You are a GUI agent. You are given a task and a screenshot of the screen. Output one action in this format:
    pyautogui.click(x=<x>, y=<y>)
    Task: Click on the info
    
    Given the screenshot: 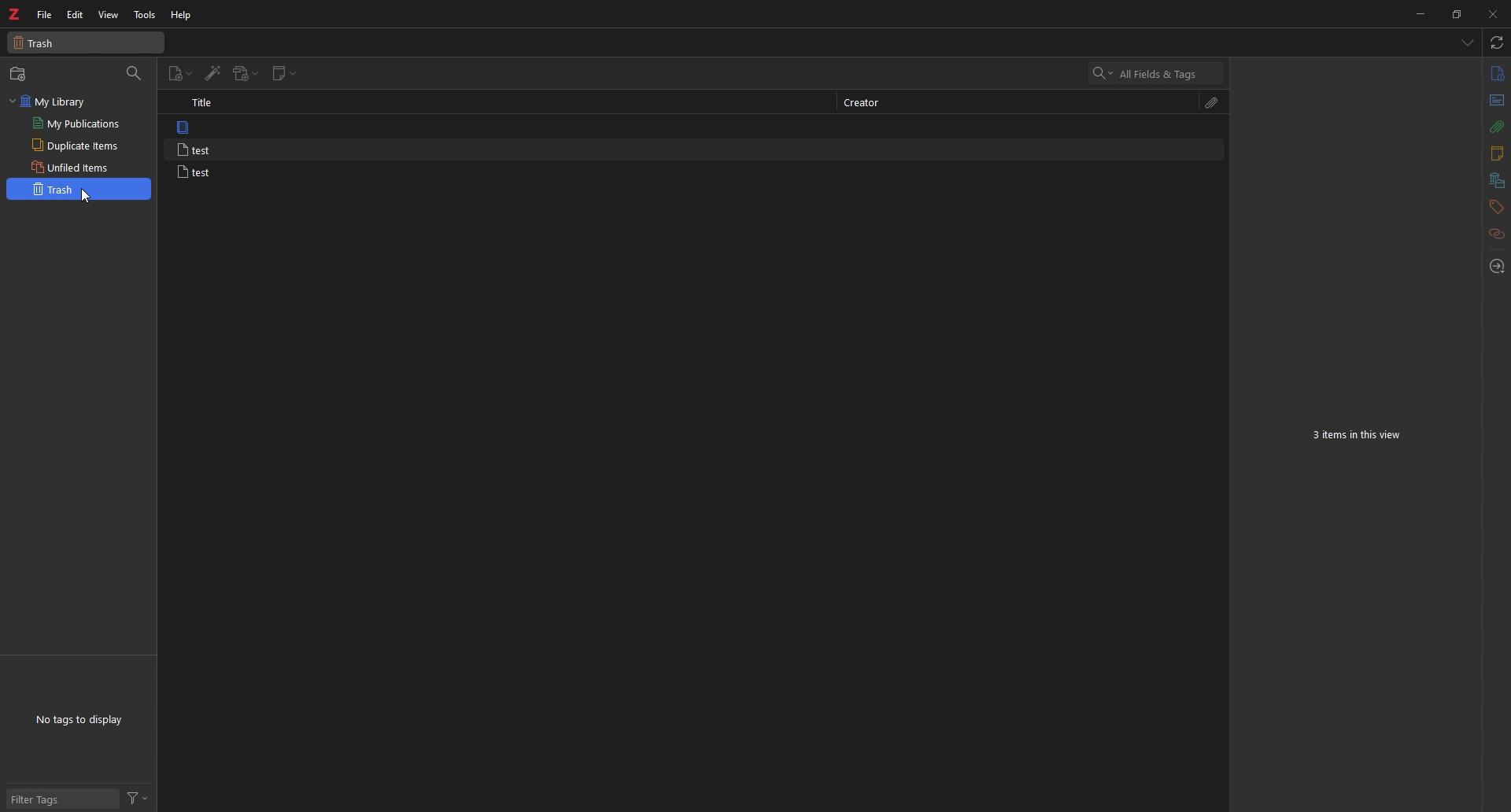 What is the action you would take?
    pyautogui.click(x=1497, y=73)
    